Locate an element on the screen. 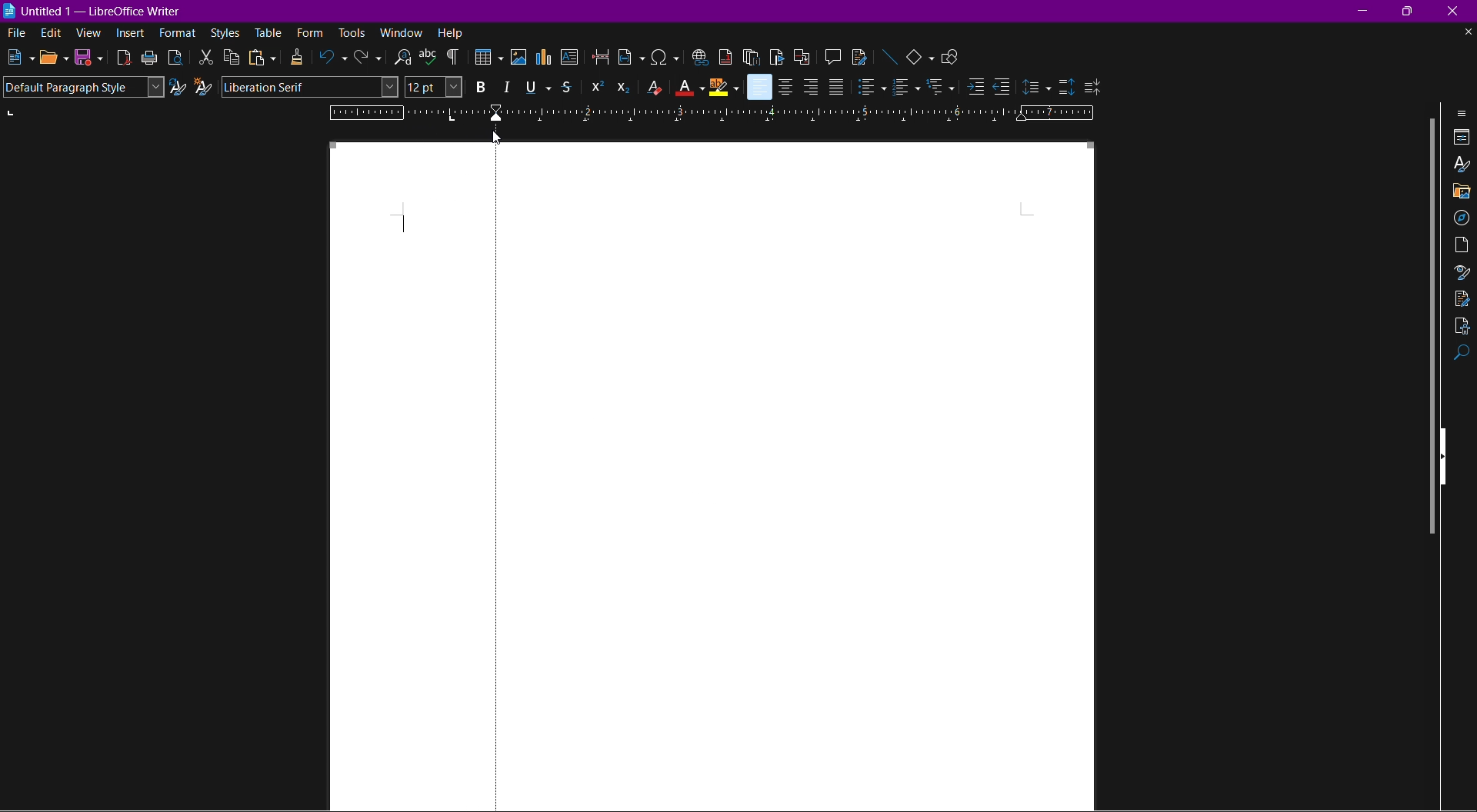 This screenshot has width=1477, height=812. Untitled 1 — LibreOffice Writer is located at coordinates (96, 9).